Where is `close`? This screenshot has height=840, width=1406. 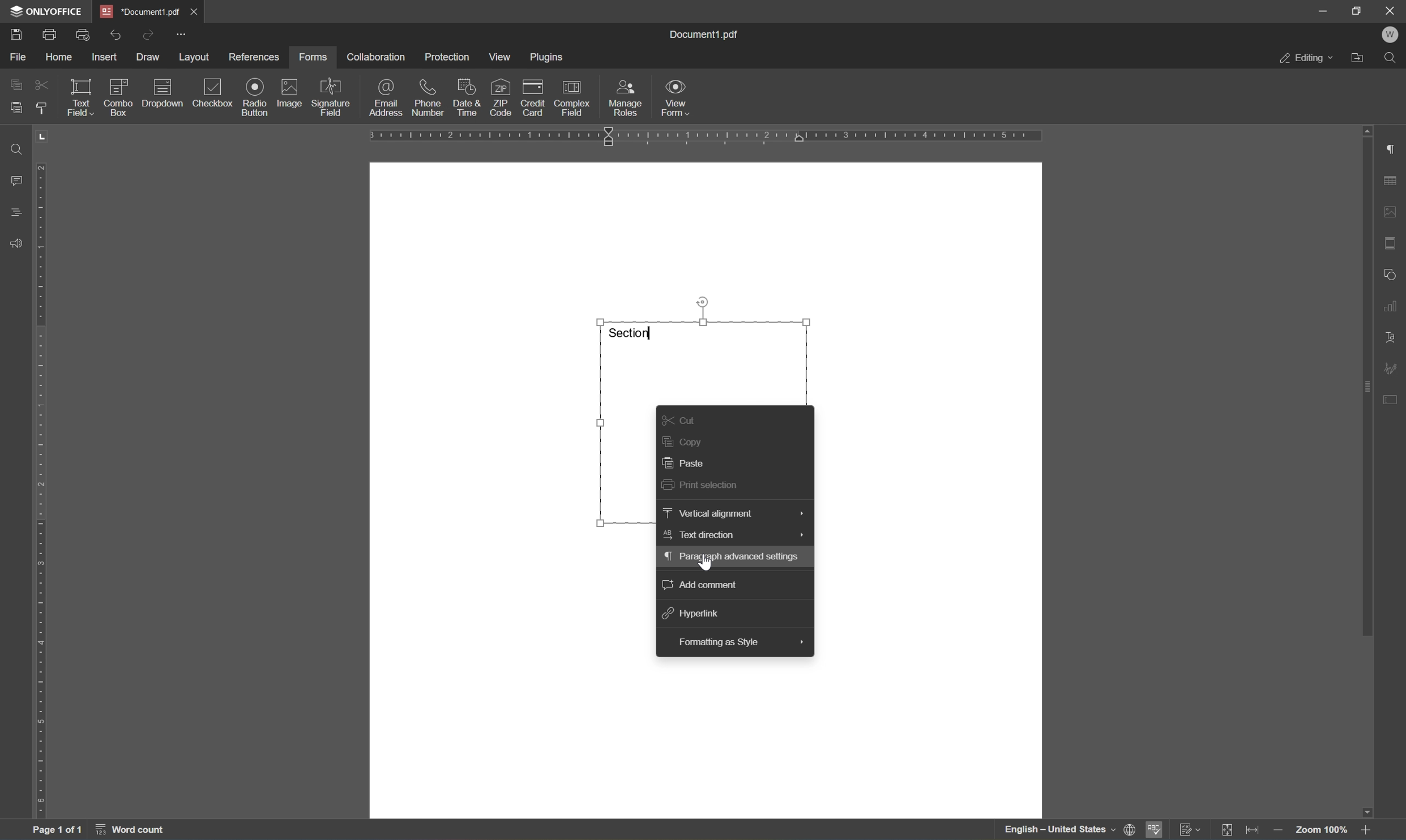 close is located at coordinates (195, 11).